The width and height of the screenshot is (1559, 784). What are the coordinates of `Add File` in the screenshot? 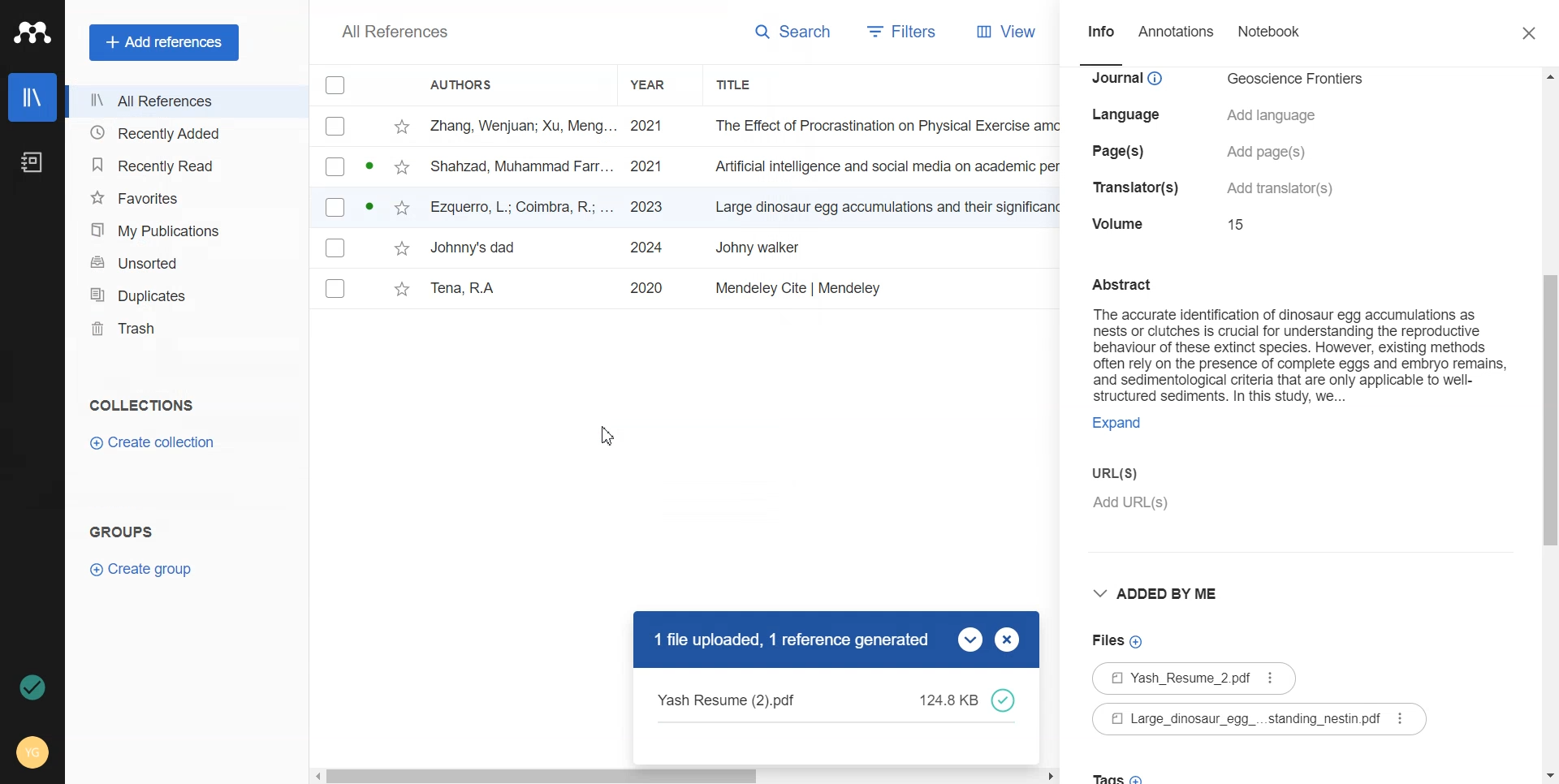 It's located at (1118, 641).